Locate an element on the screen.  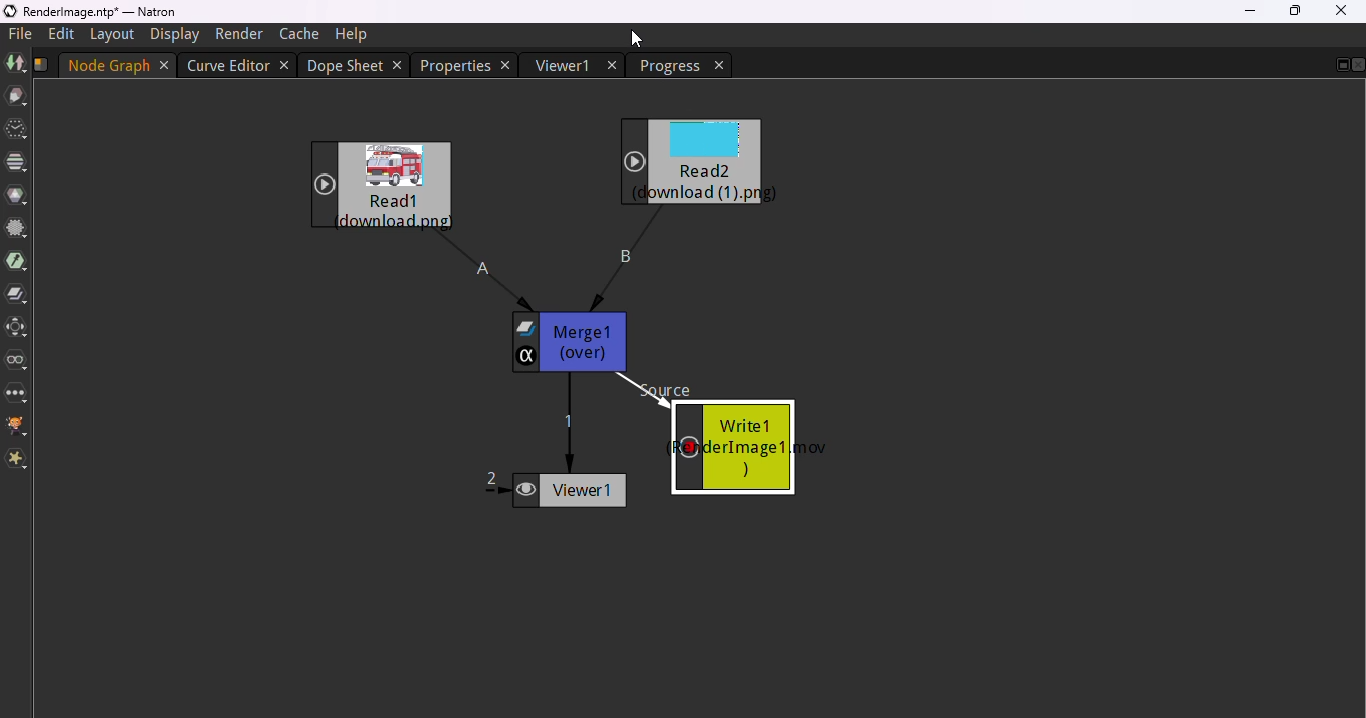
properties is located at coordinates (454, 65).